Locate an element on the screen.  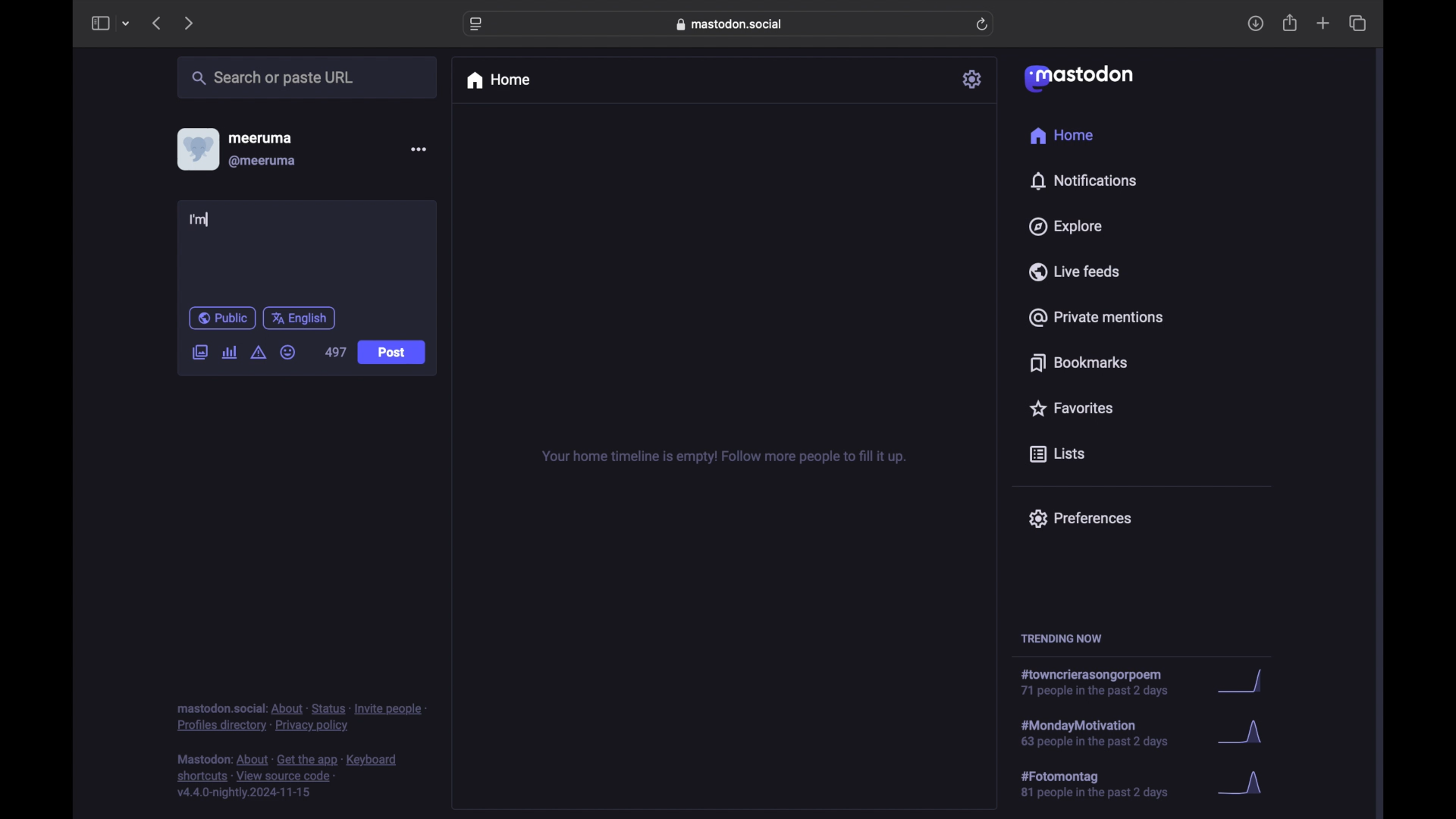
explore is located at coordinates (1066, 227).